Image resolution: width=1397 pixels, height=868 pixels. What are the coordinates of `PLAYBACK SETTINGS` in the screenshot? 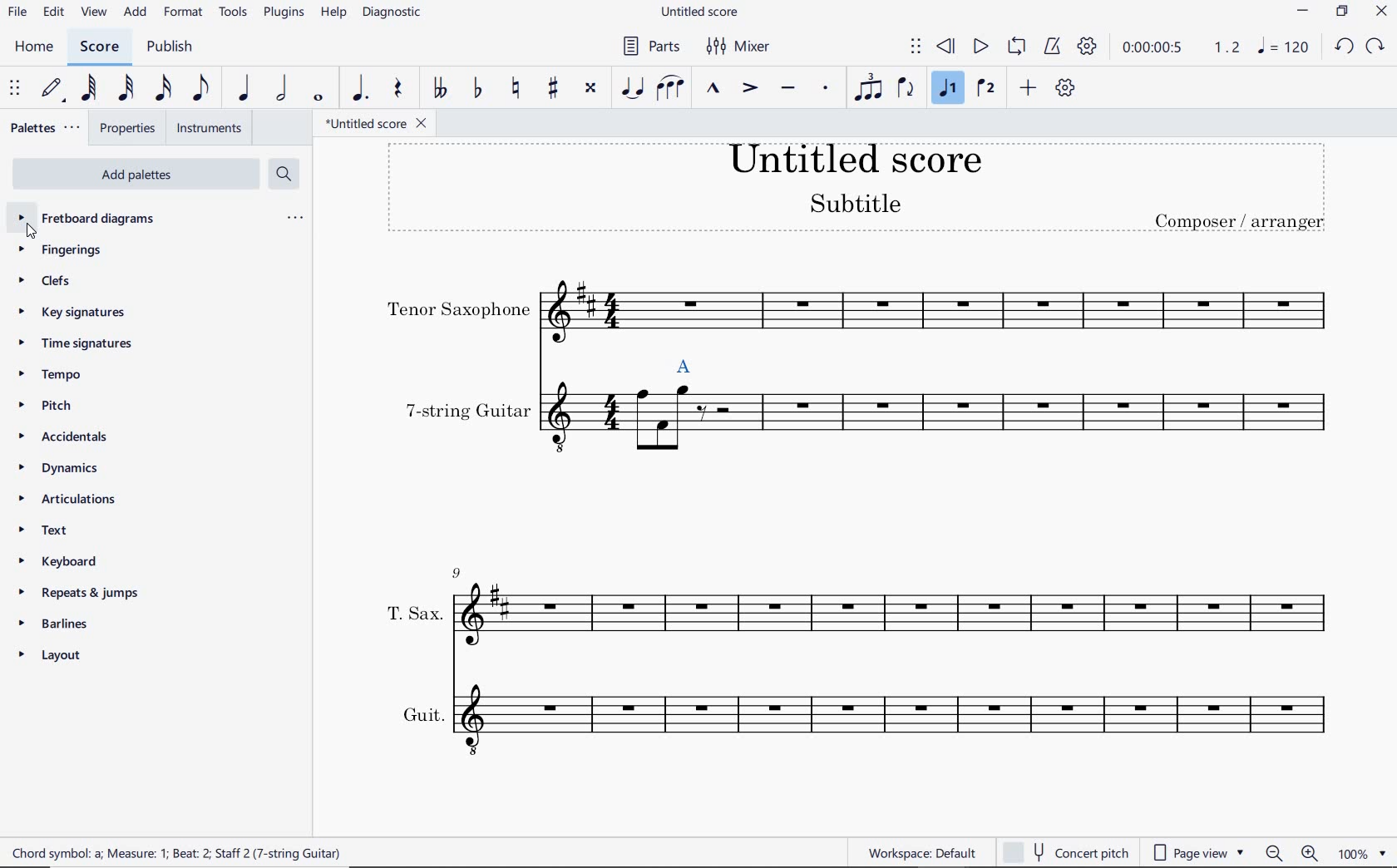 It's located at (1090, 47).